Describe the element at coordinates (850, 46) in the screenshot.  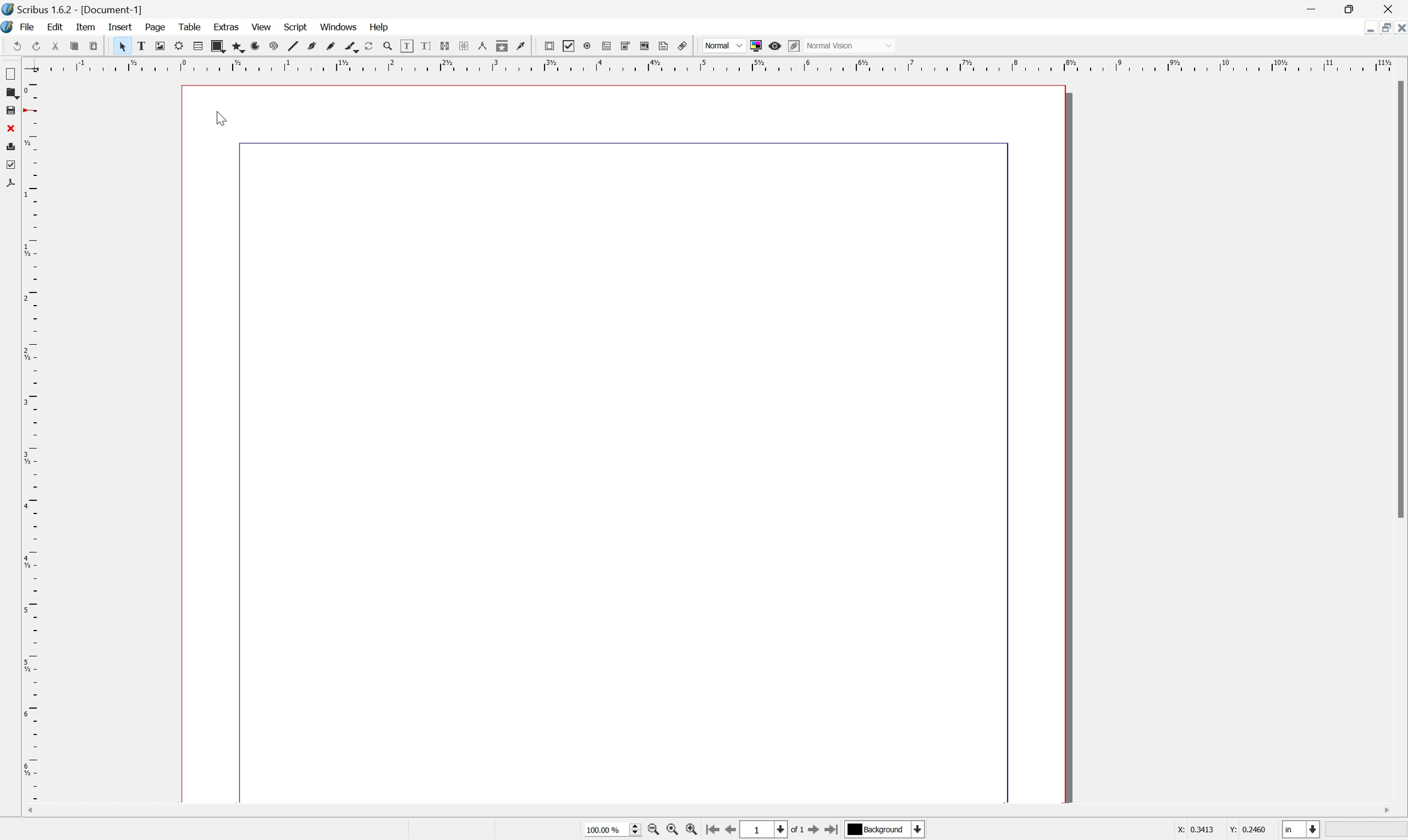
I see `Normal` at that location.